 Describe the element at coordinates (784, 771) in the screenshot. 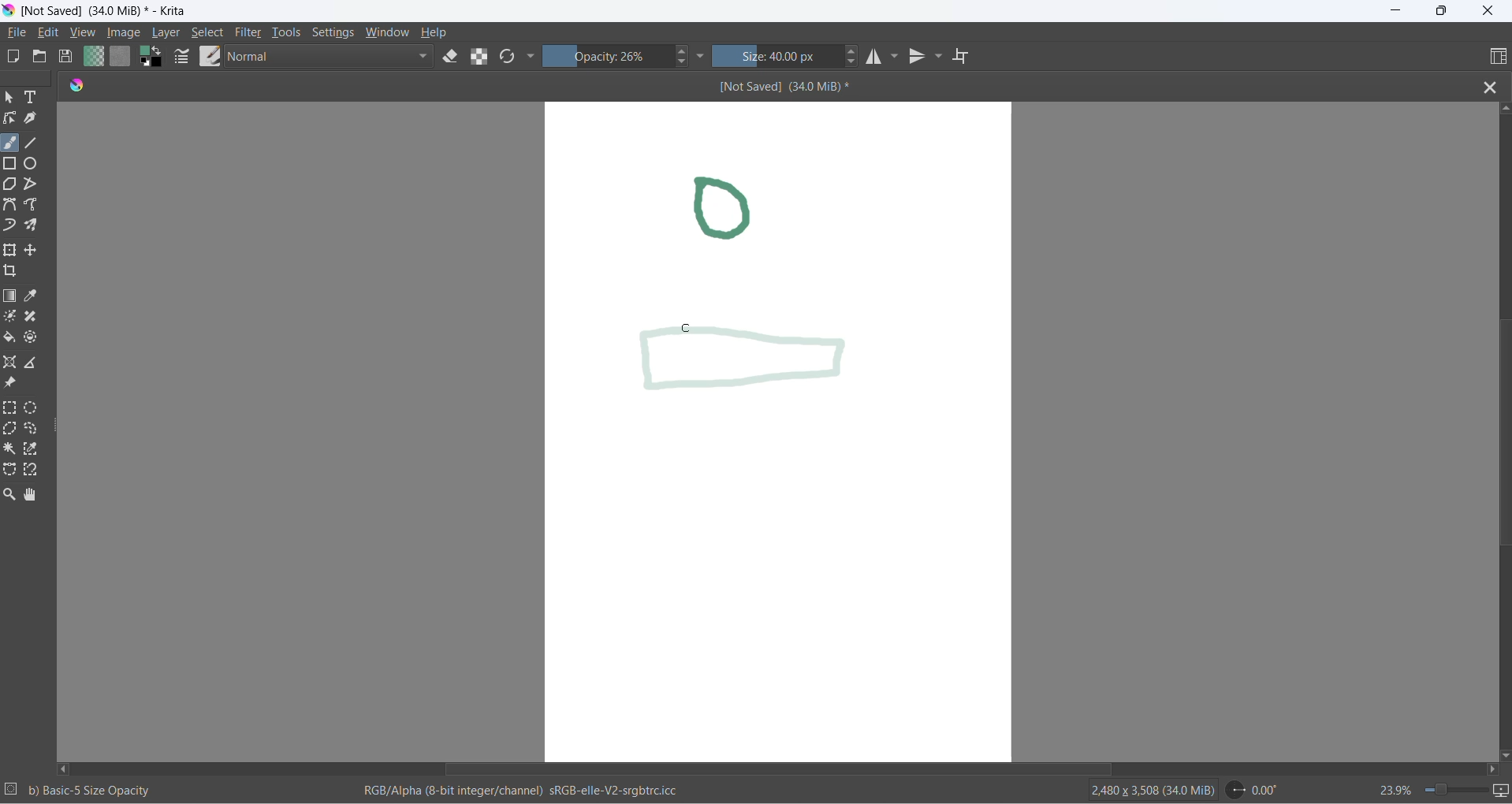

I see `horizontal scroll bar` at that location.